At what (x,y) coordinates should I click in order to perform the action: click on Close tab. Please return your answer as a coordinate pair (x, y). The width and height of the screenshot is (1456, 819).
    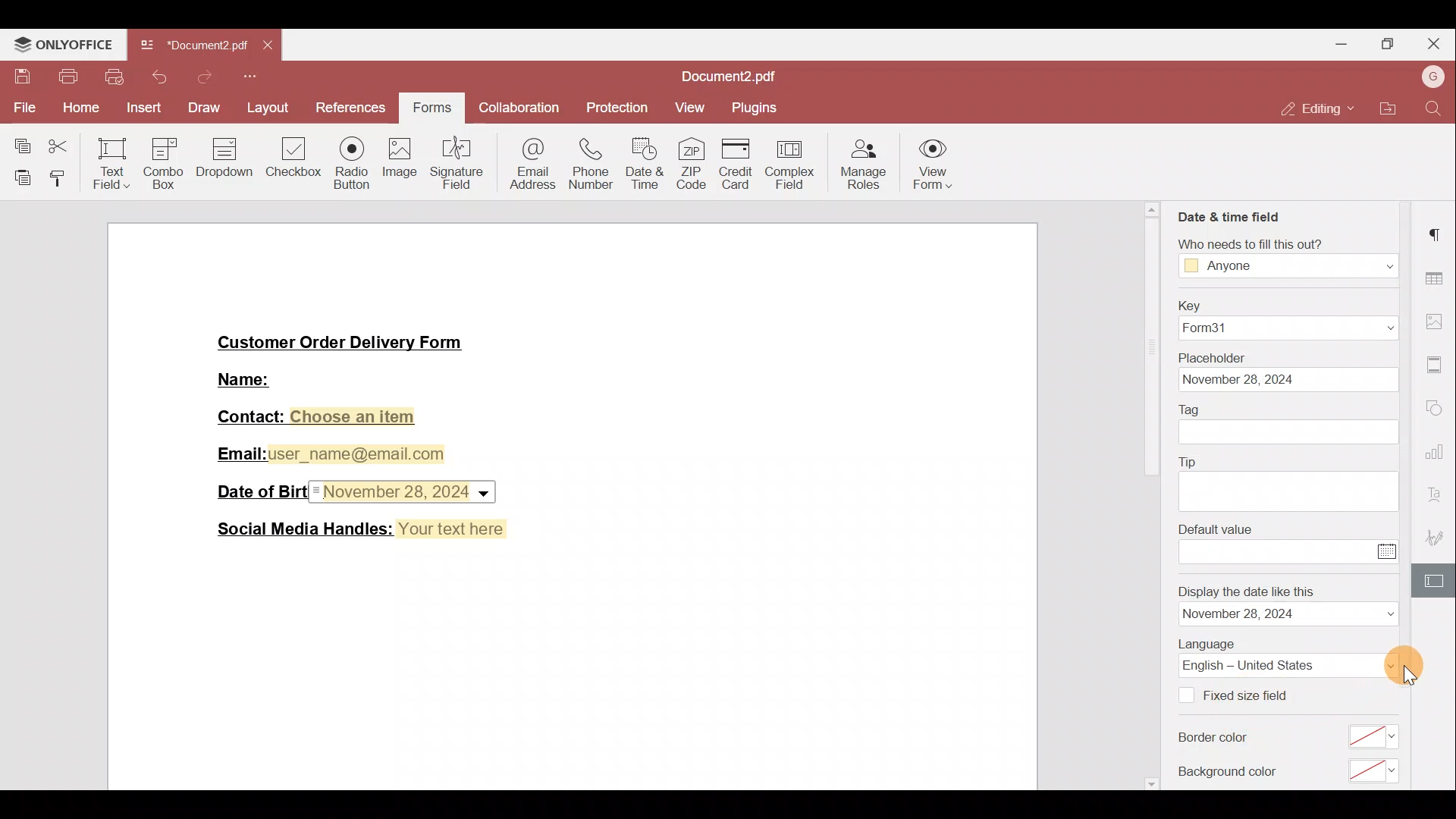
    Looking at the image, I should click on (265, 46).